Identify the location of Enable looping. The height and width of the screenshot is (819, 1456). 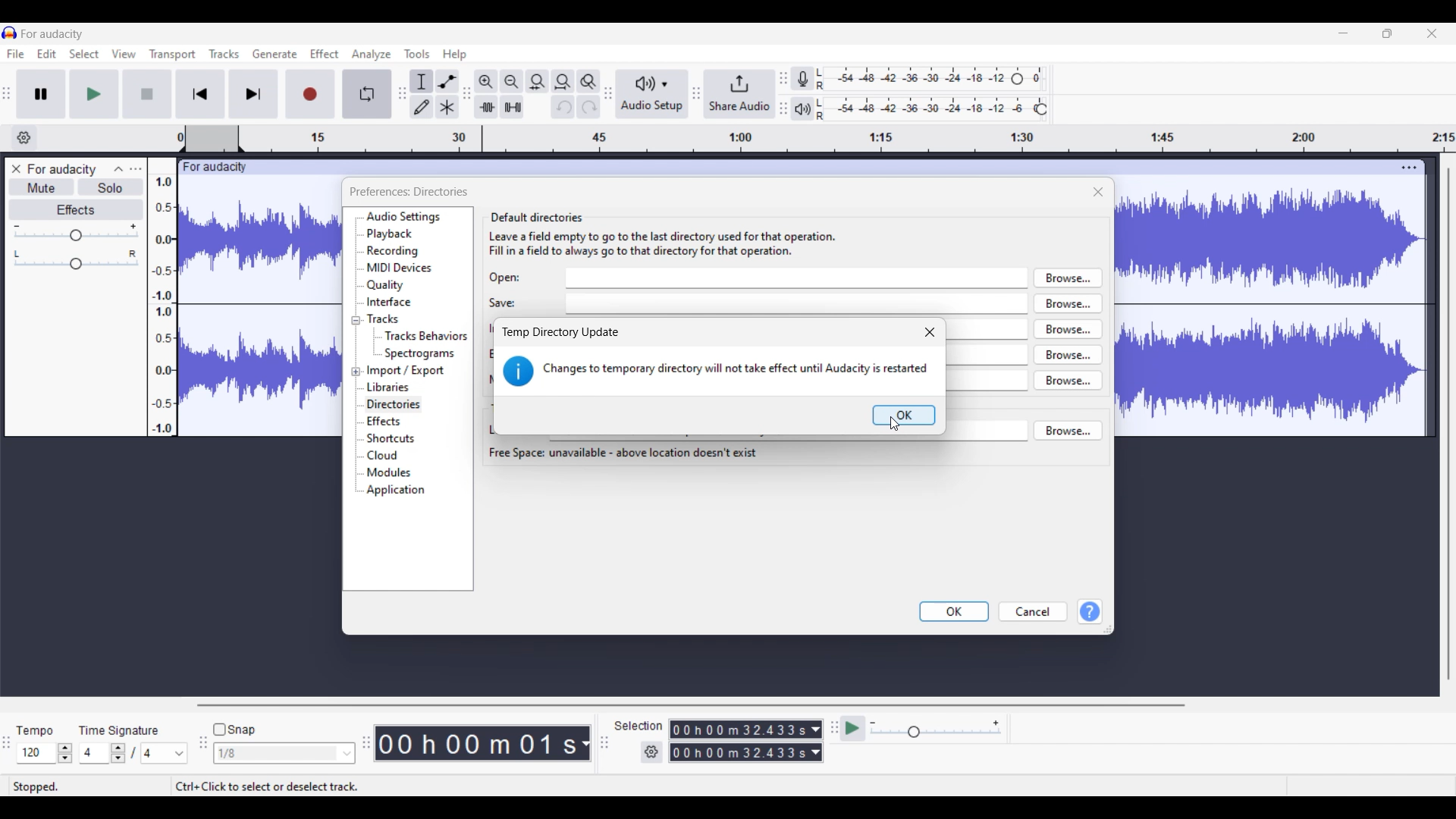
(367, 93).